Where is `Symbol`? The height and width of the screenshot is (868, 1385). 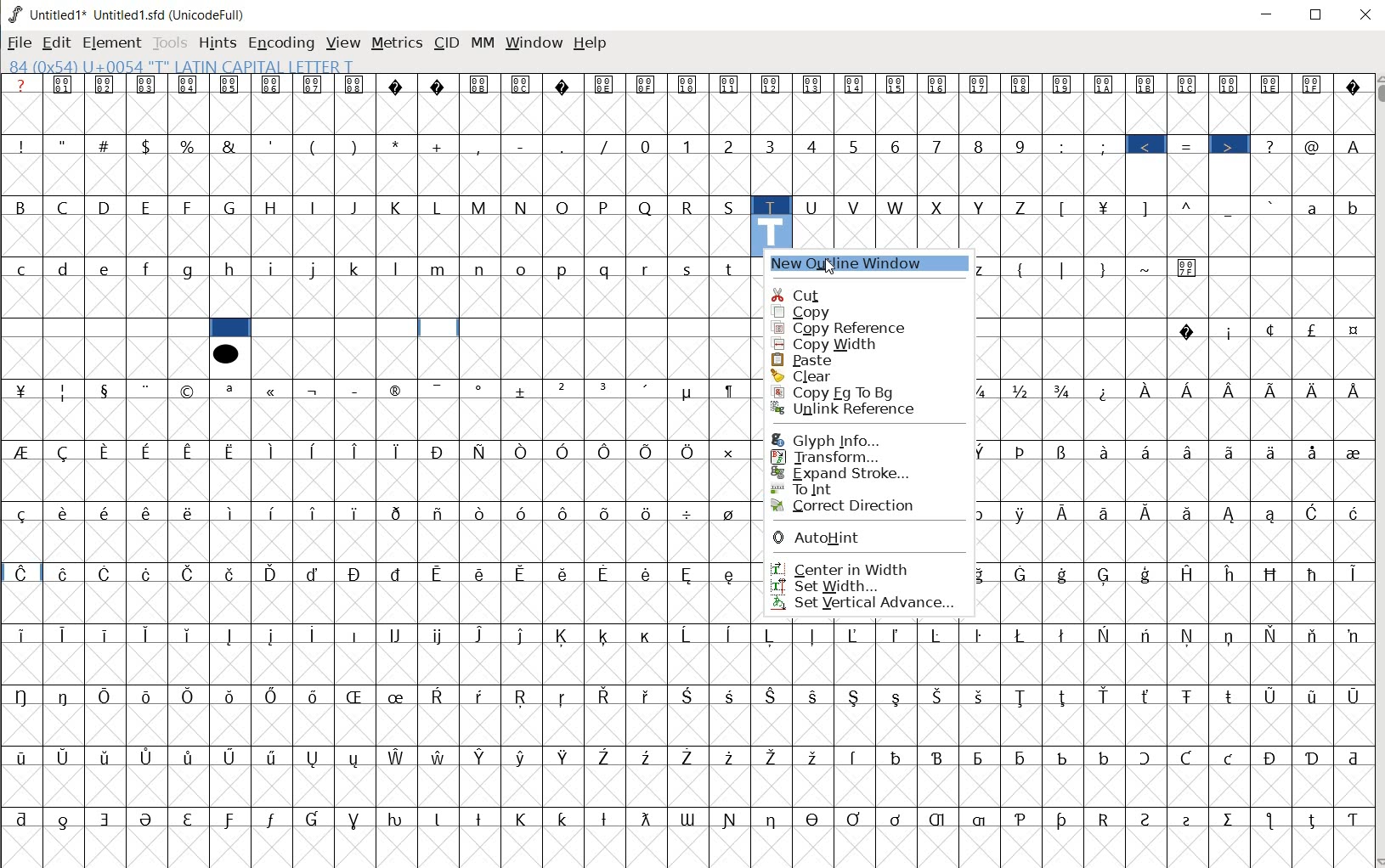 Symbol is located at coordinates (105, 389).